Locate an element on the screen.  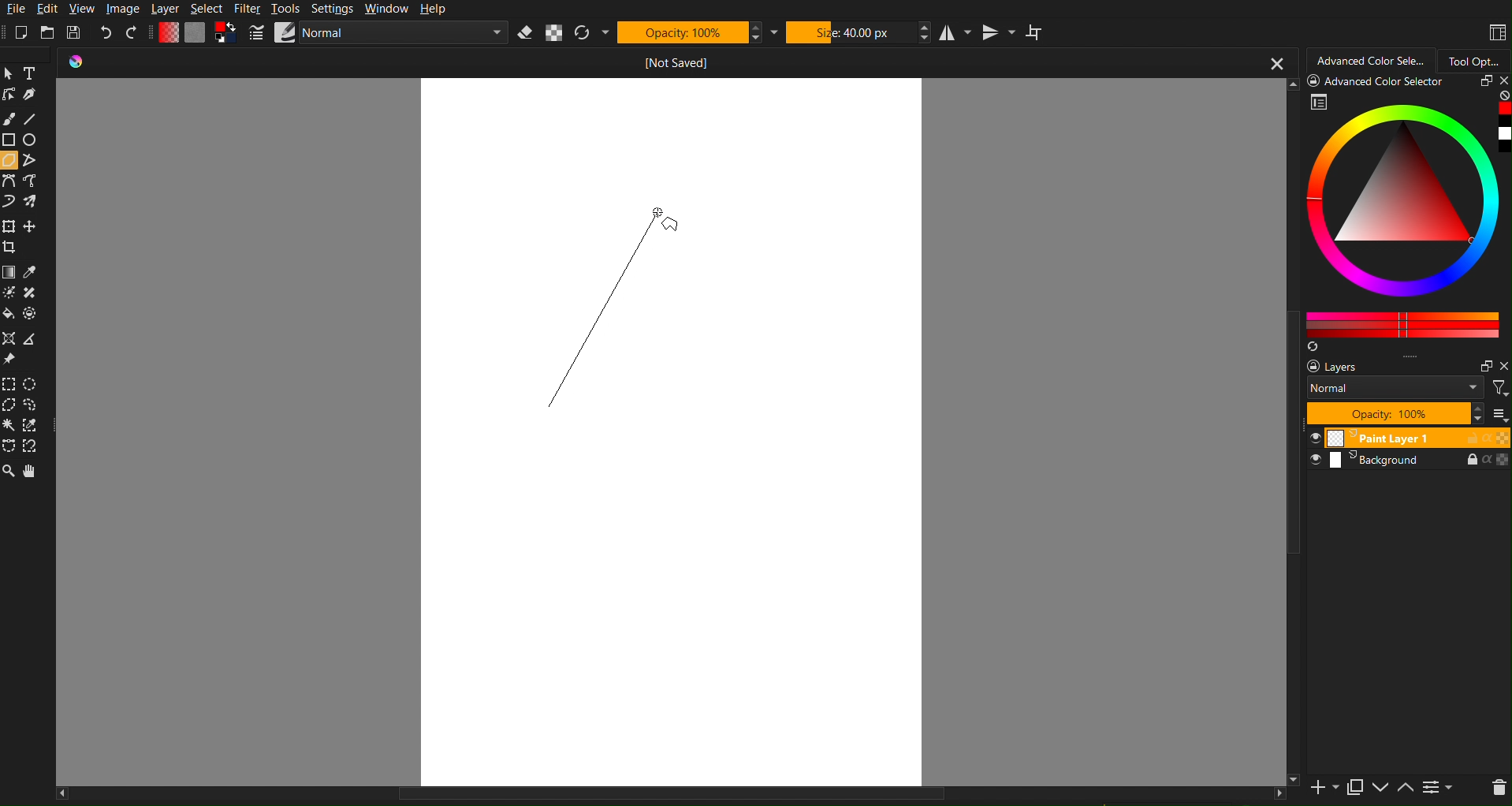
blend mode is located at coordinates (1398, 390).